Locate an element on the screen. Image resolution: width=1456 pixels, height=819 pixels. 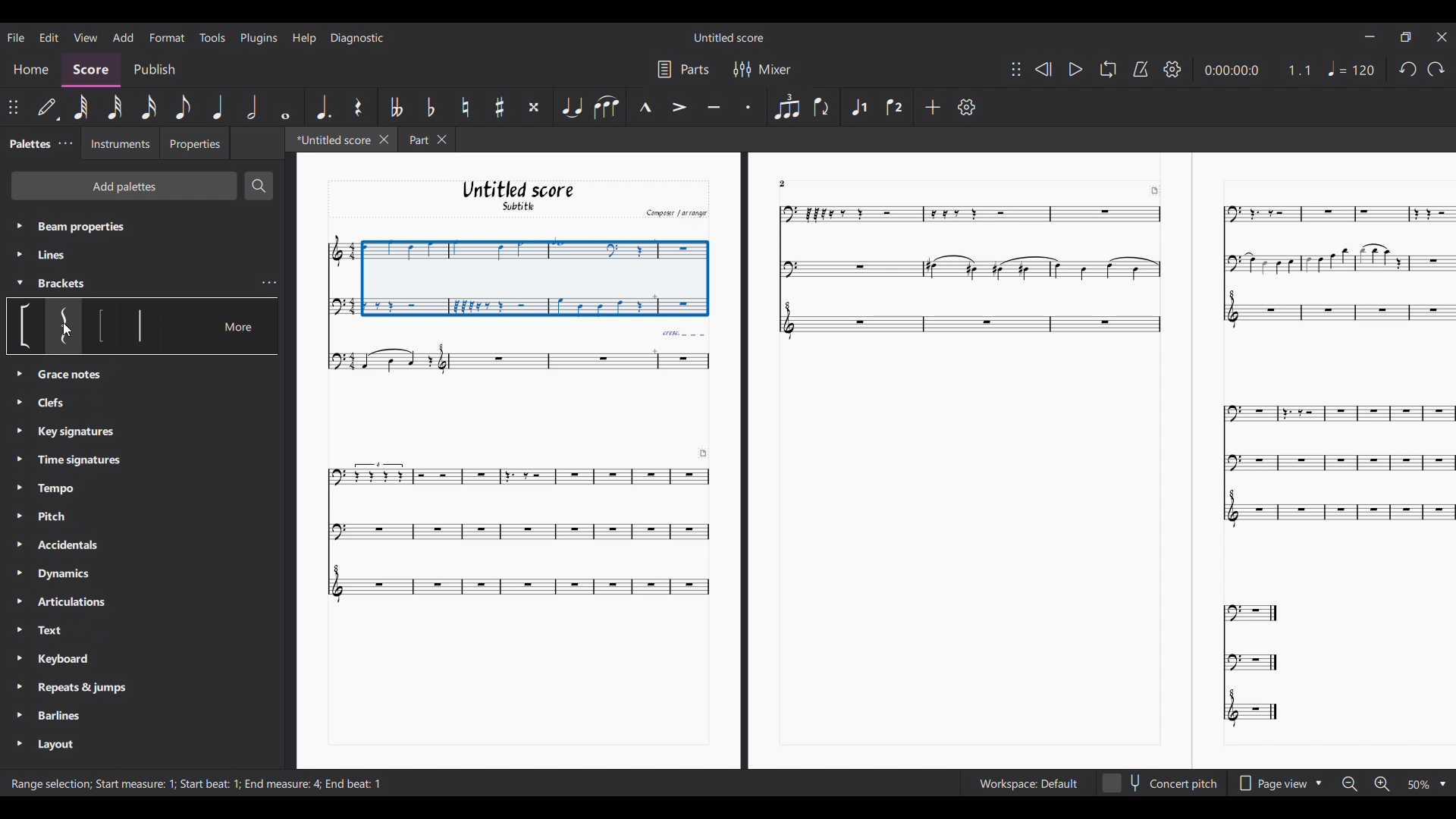
 is located at coordinates (972, 319).